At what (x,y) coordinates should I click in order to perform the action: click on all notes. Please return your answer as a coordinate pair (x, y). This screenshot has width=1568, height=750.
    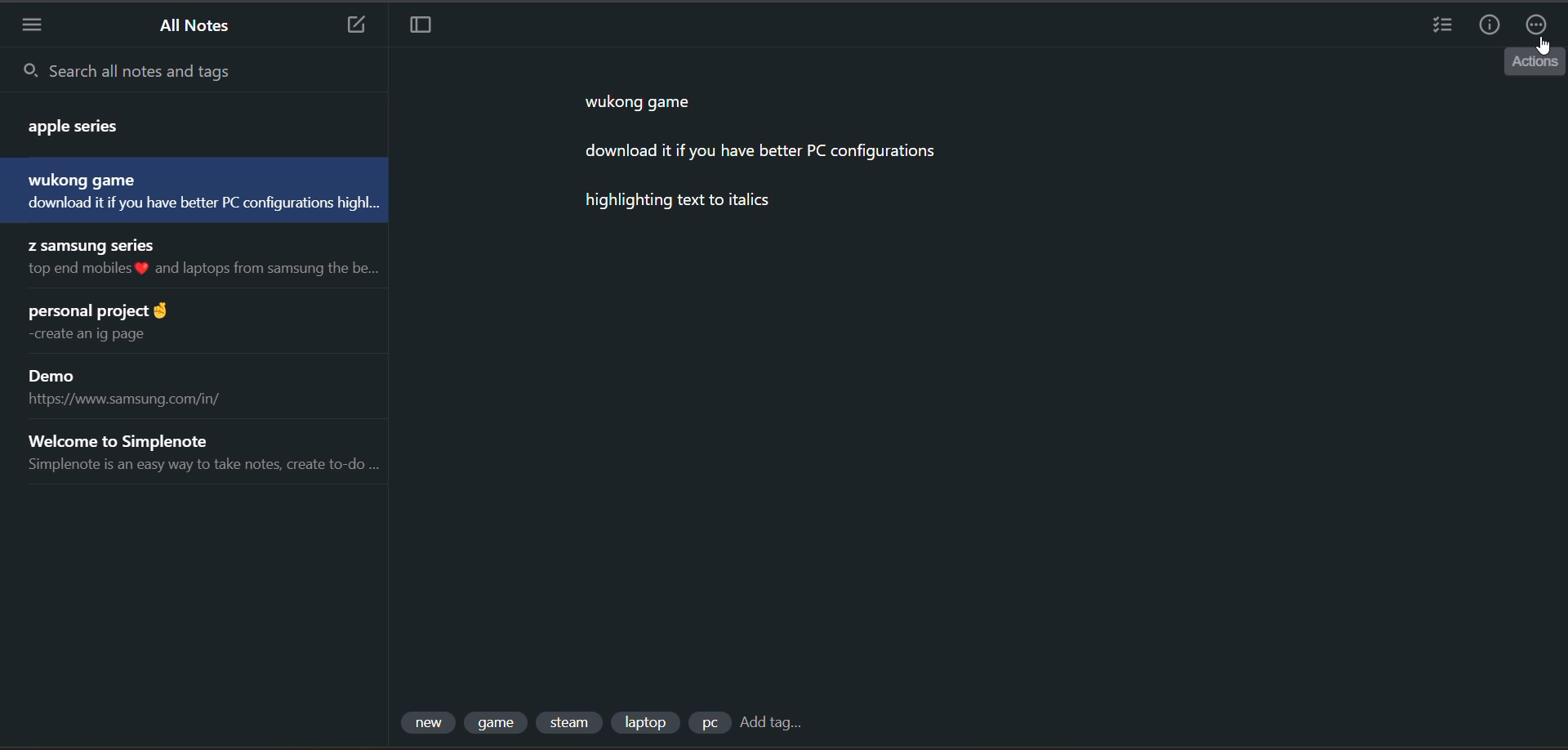
    Looking at the image, I should click on (201, 28).